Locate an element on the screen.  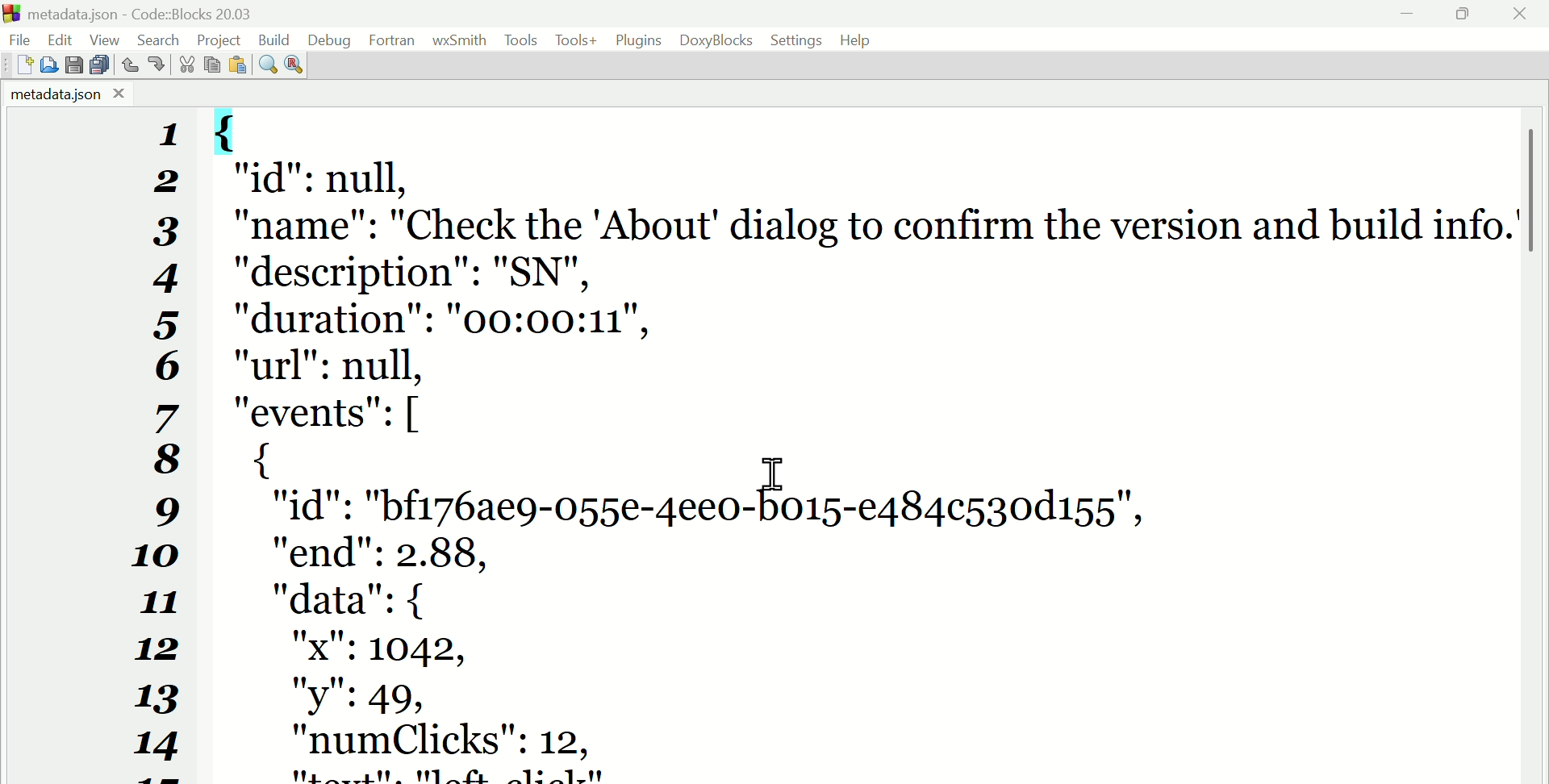
Copy is located at coordinates (211, 65).